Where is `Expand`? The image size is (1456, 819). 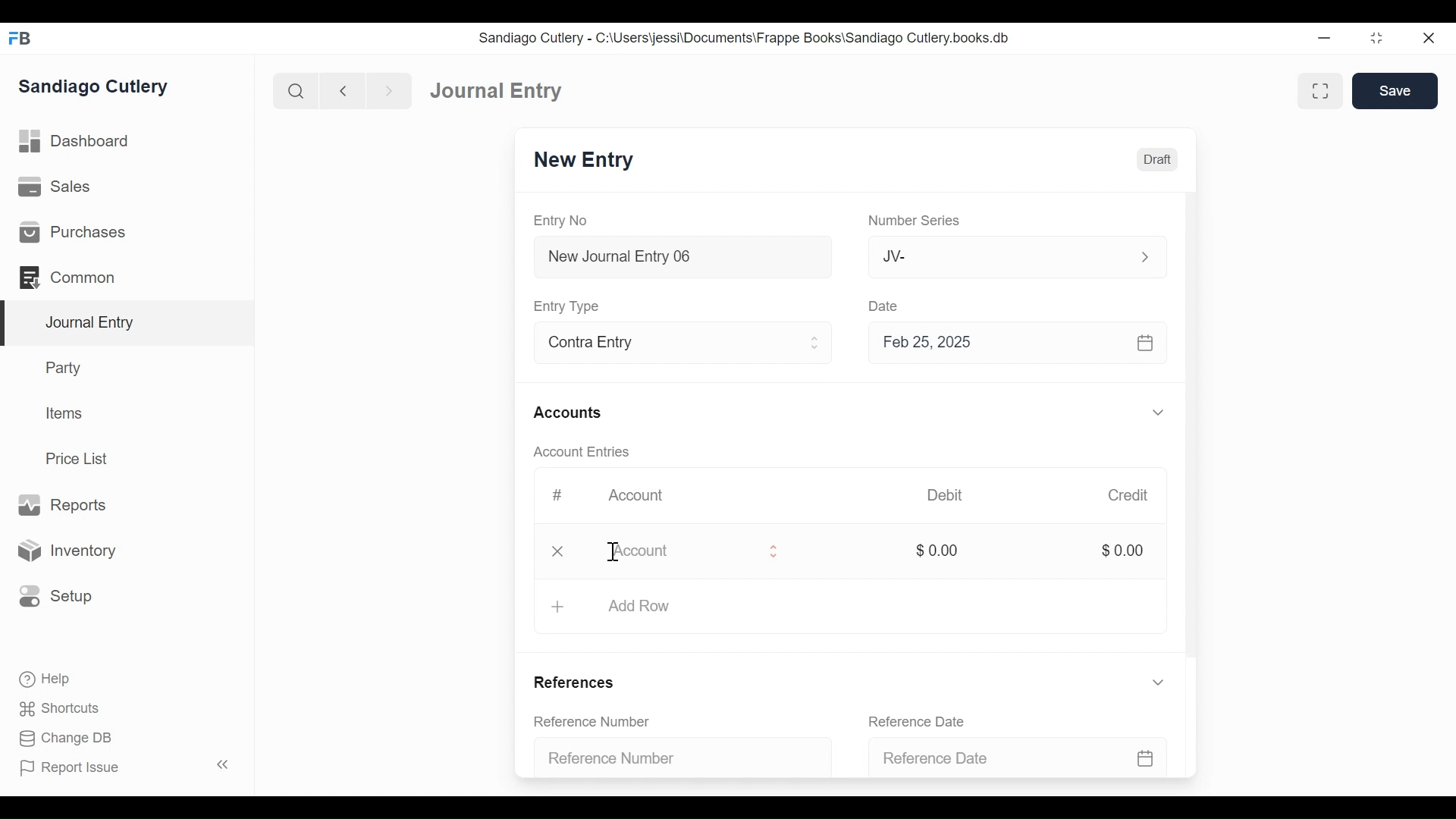 Expand is located at coordinates (1145, 257).